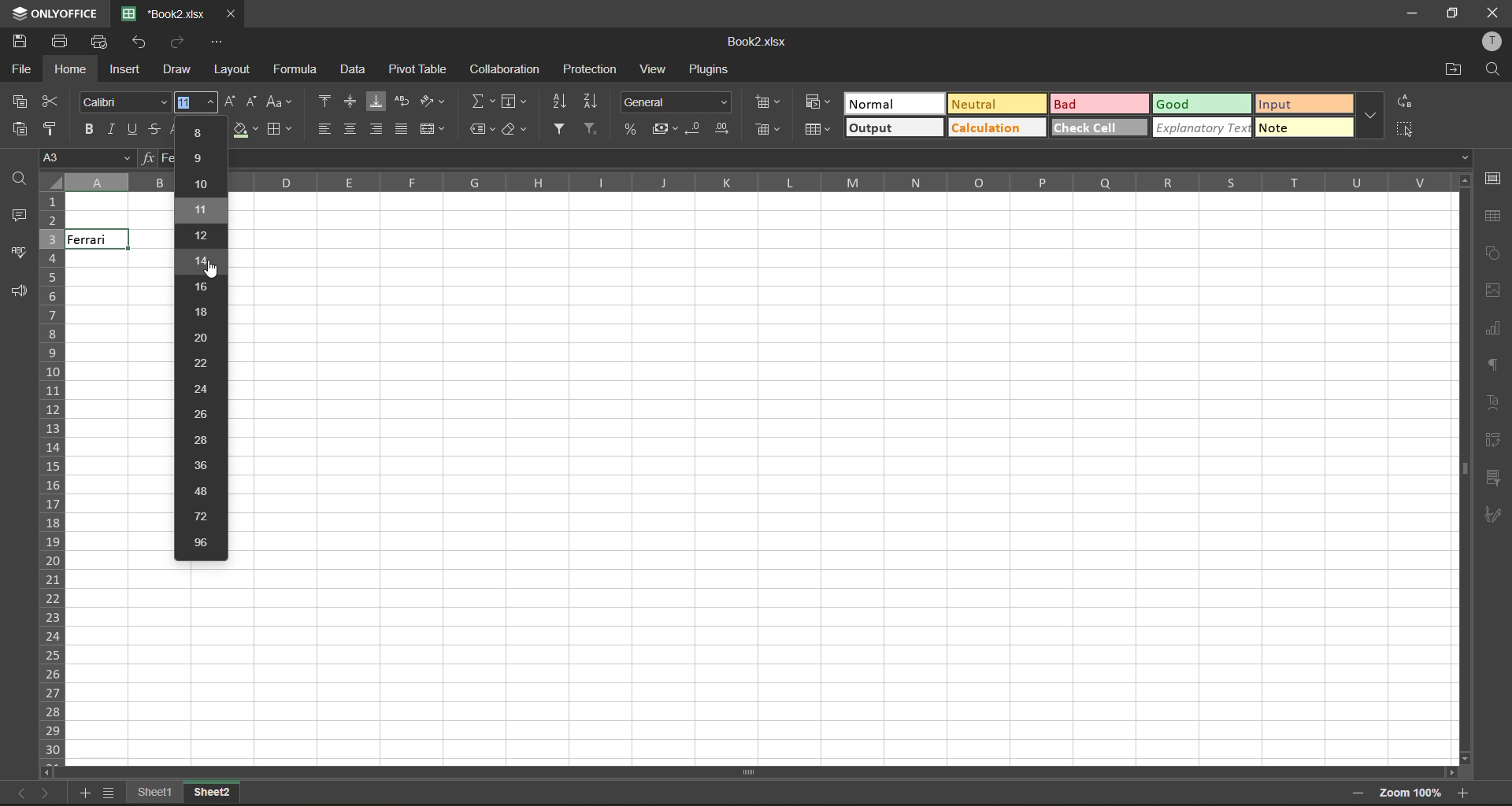  I want to click on align center, so click(350, 128).